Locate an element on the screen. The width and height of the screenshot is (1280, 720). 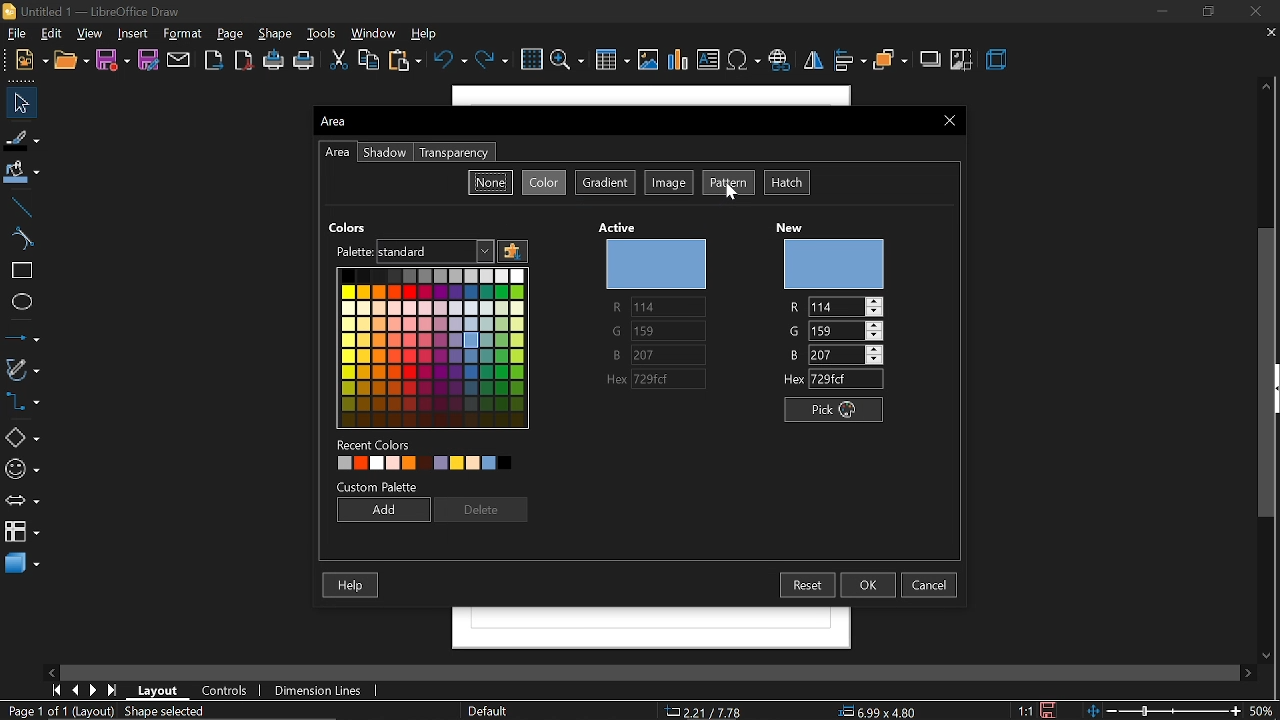
recent colors is located at coordinates (421, 462).